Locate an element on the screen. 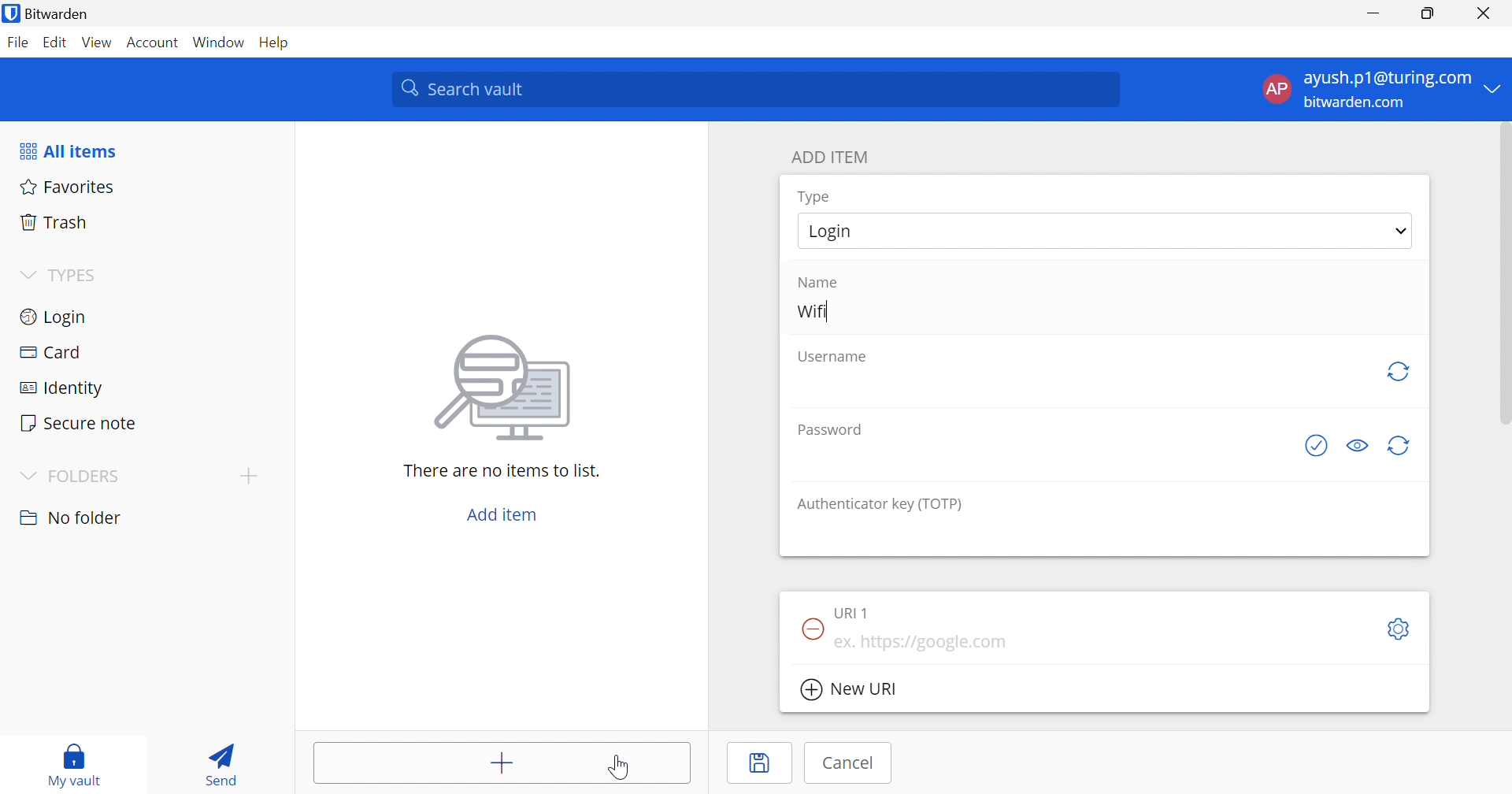 This screenshot has width=1512, height=794. Account is located at coordinates (154, 46).